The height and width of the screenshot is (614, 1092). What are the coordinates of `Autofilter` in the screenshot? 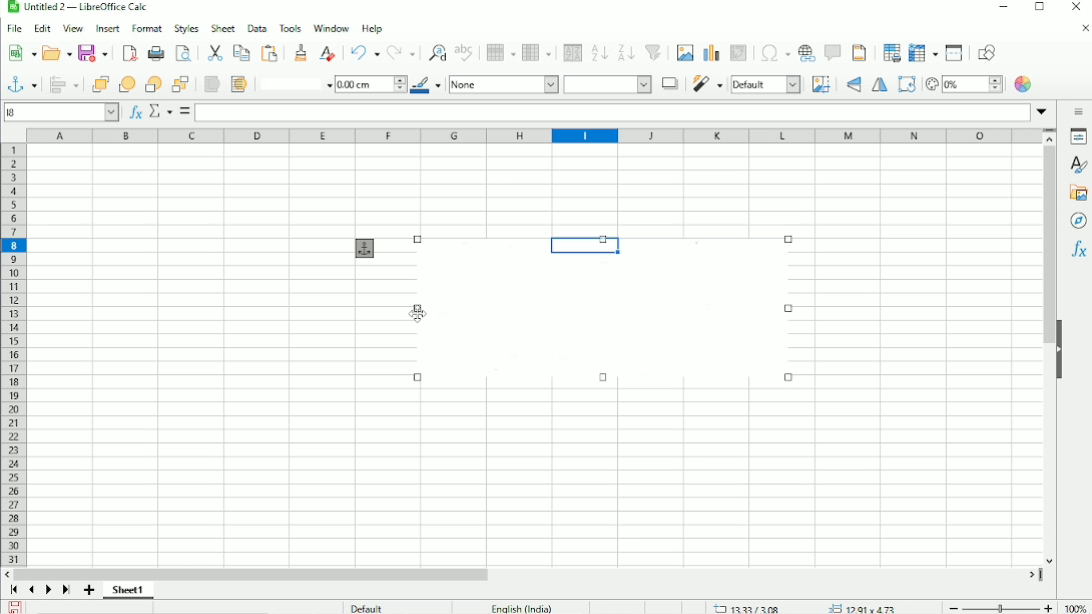 It's located at (654, 53).